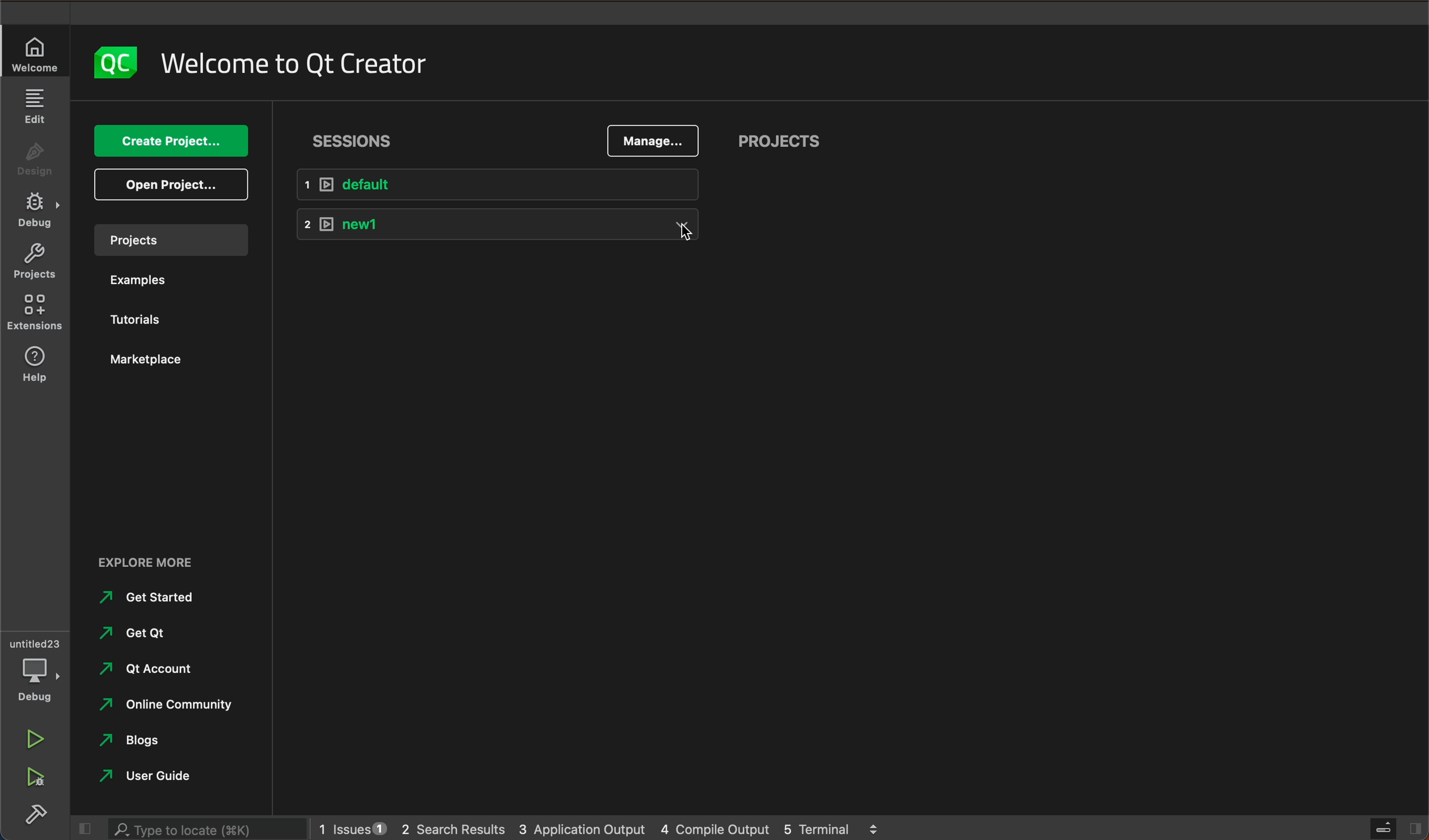  What do you see at coordinates (34, 262) in the screenshot?
I see `project` at bounding box center [34, 262].